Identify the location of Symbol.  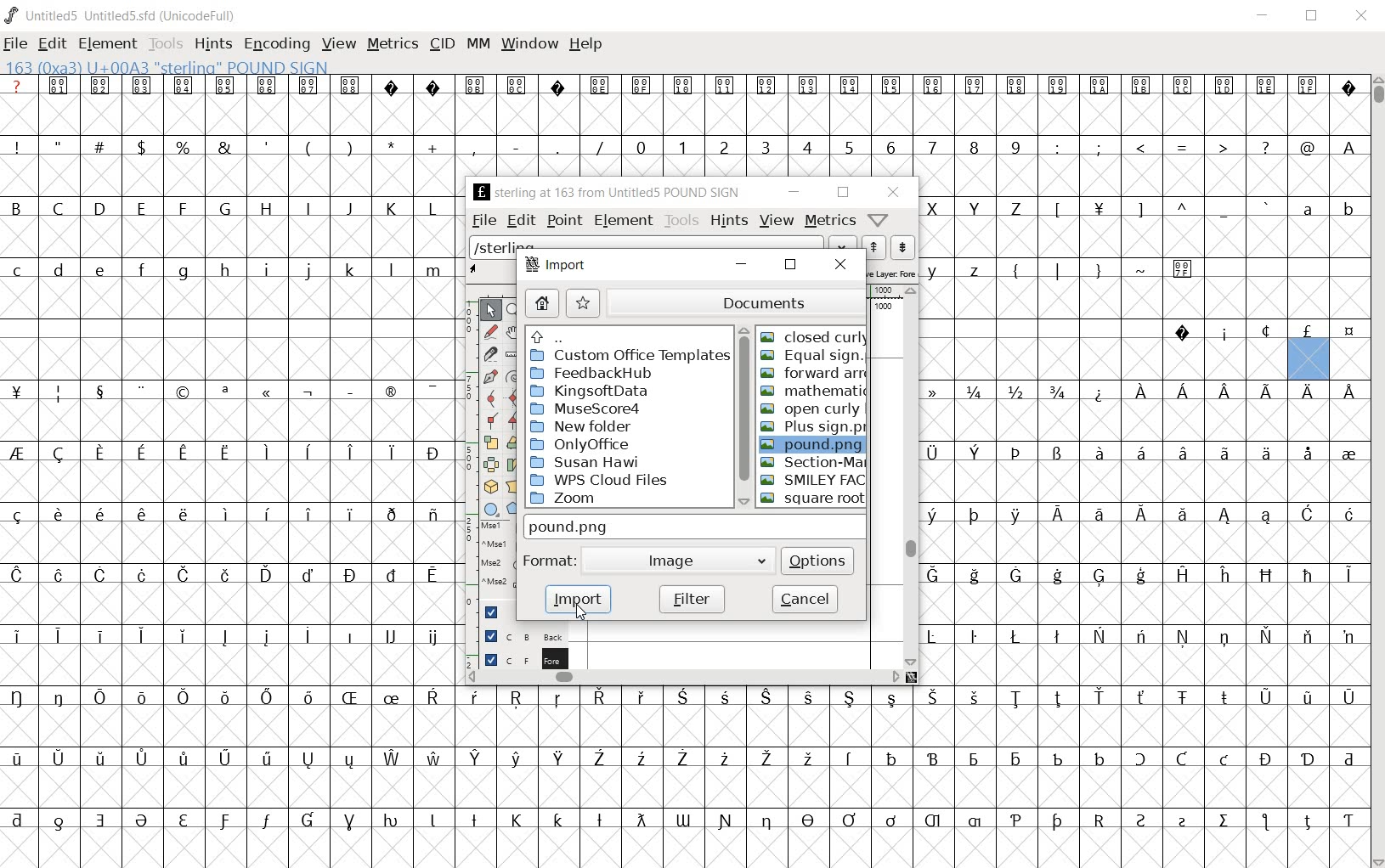
(809, 759).